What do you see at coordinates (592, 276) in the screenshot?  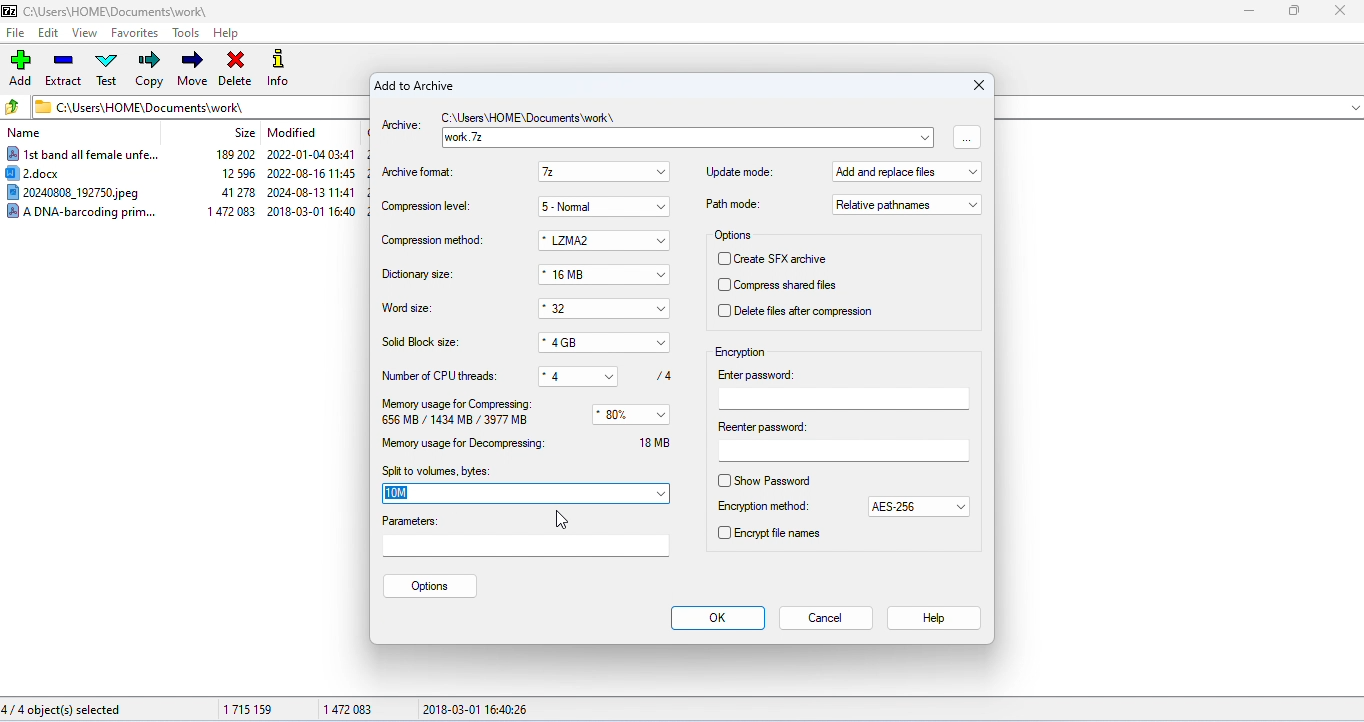 I see `* 16 MB` at bounding box center [592, 276].